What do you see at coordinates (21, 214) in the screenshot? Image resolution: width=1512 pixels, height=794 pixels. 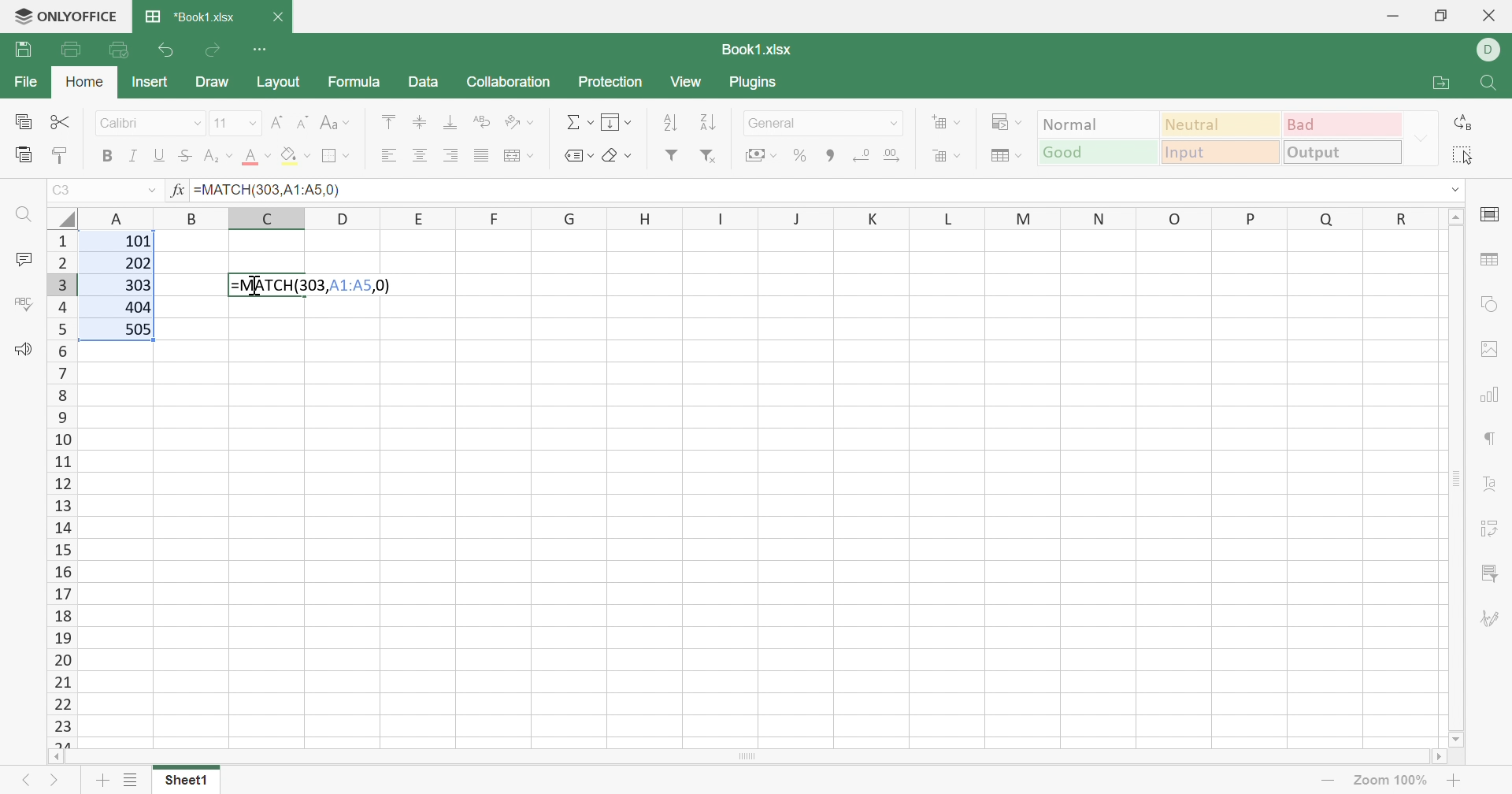 I see `Find` at bounding box center [21, 214].